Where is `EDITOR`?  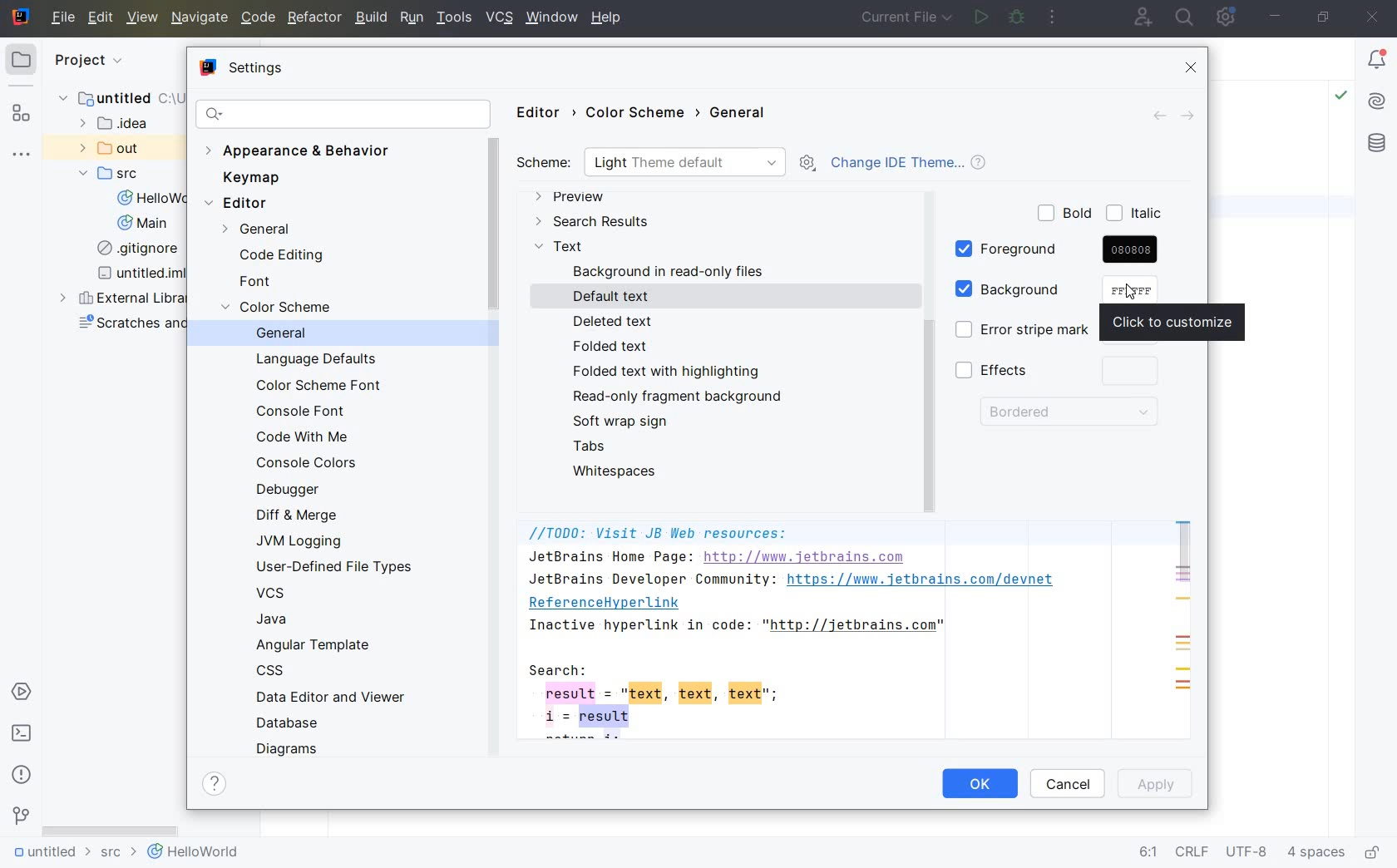 EDITOR is located at coordinates (240, 204).